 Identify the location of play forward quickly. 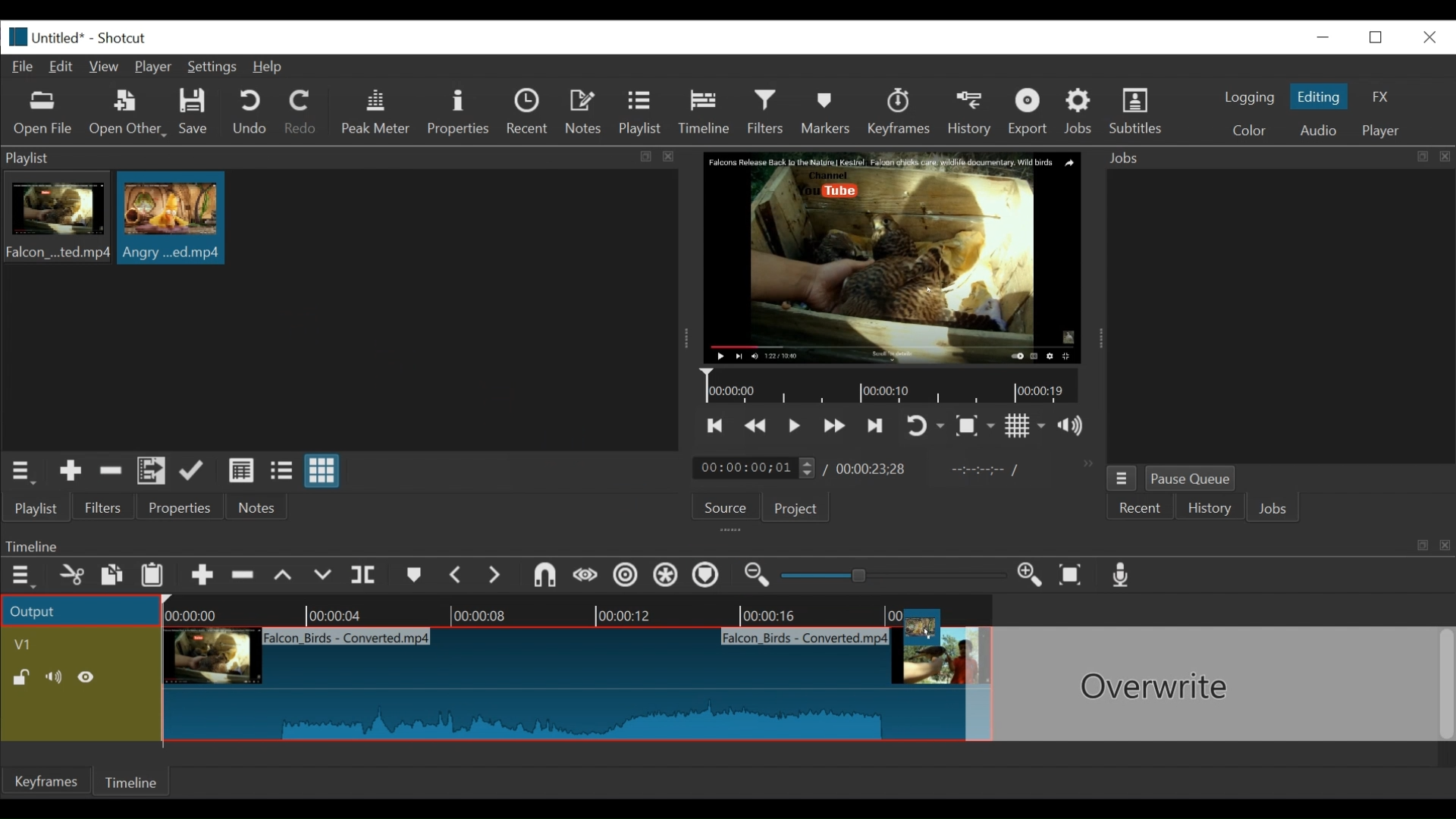
(836, 428).